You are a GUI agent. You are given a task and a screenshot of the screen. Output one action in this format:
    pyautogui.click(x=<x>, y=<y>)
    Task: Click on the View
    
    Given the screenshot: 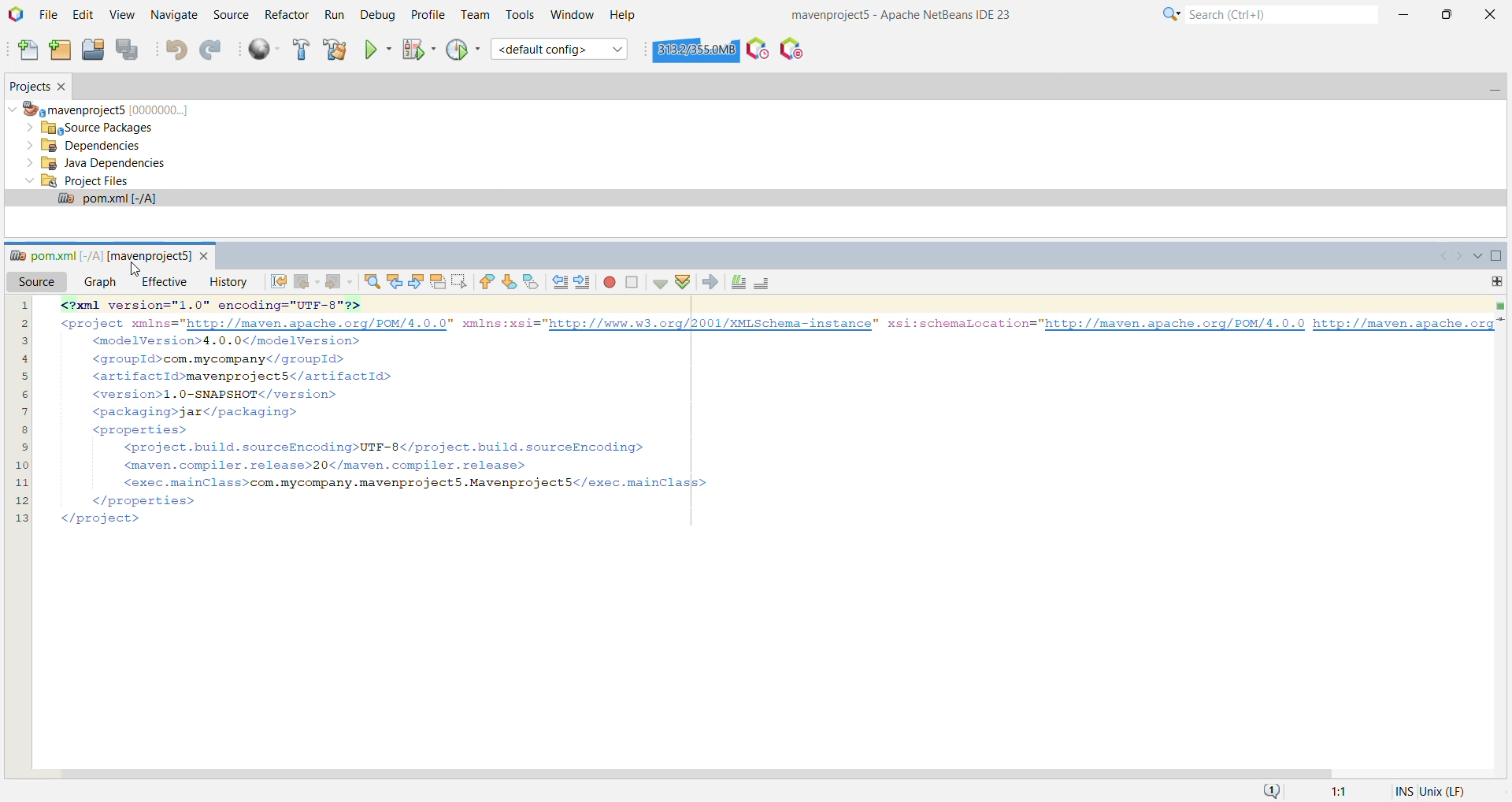 What is the action you would take?
    pyautogui.click(x=124, y=15)
    